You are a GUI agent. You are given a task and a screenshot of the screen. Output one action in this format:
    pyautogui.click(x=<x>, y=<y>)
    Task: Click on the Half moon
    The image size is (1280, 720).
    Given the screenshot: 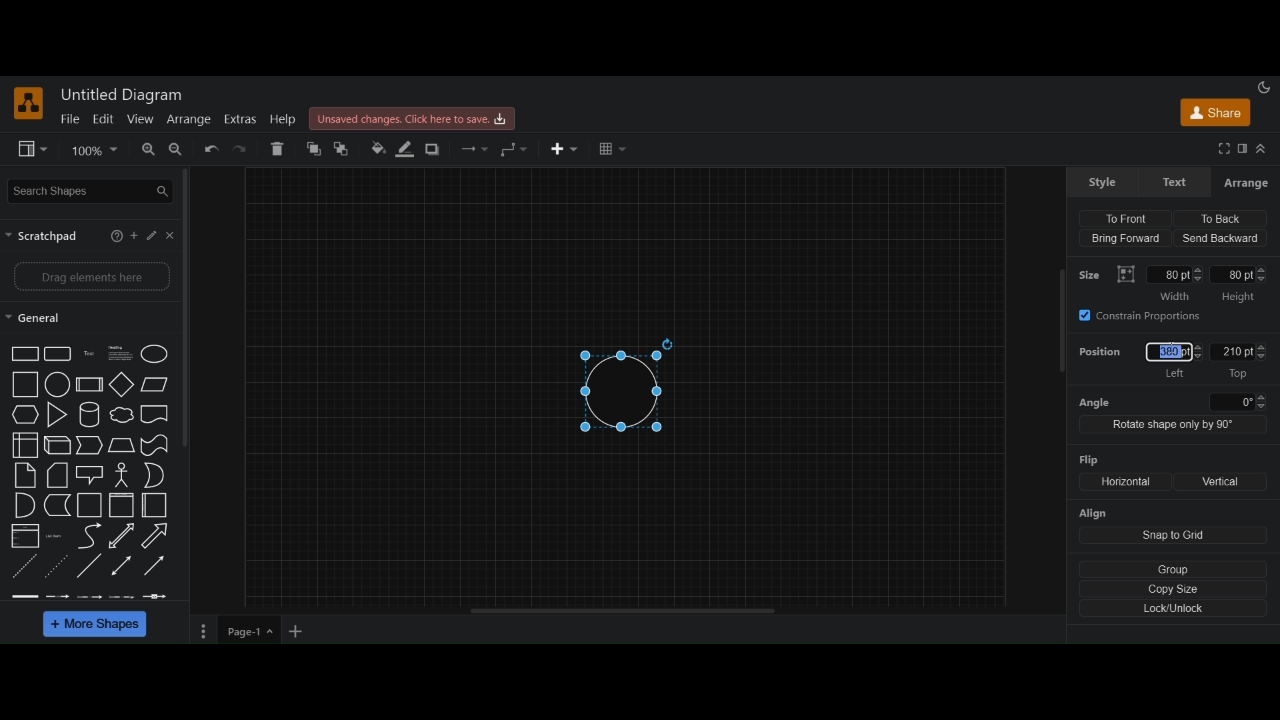 What is the action you would take?
    pyautogui.click(x=158, y=475)
    